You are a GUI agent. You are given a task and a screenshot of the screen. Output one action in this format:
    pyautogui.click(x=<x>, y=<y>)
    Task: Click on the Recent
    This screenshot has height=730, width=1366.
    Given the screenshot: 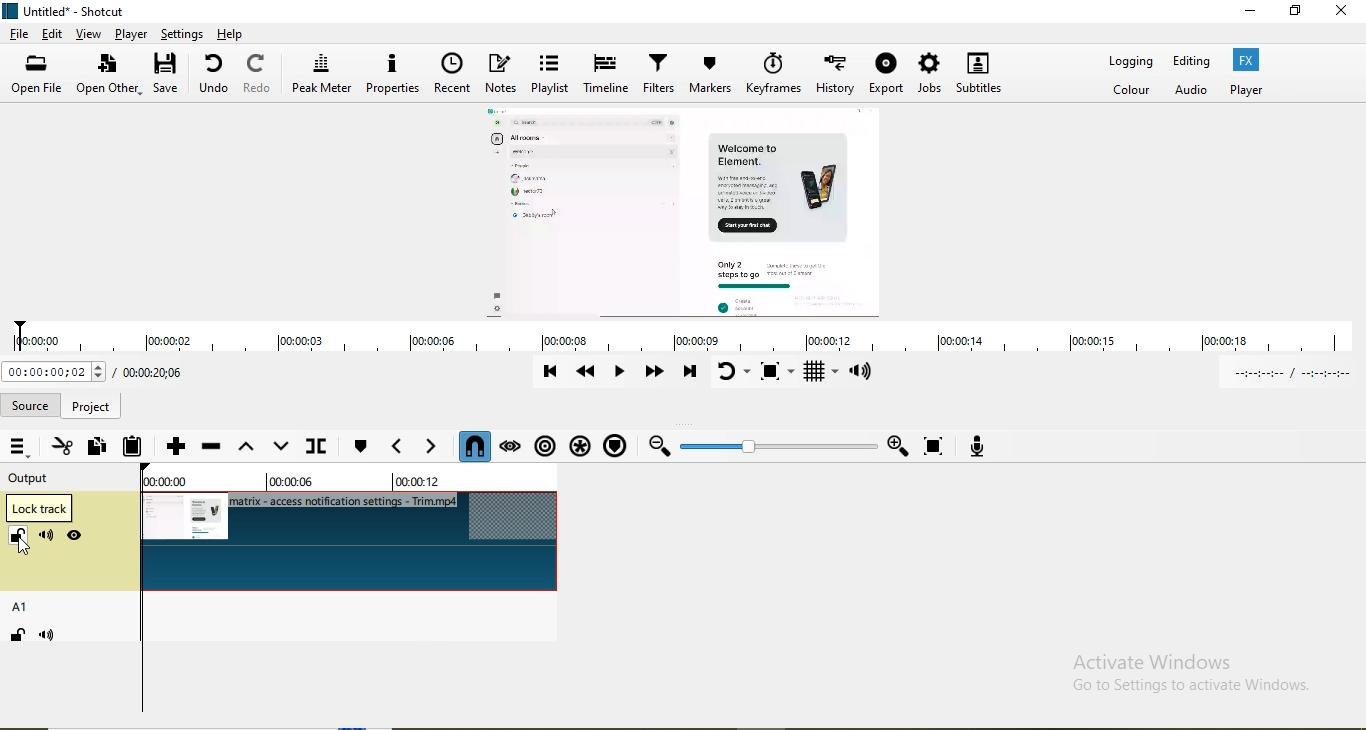 What is the action you would take?
    pyautogui.click(x=452, y=75)
    